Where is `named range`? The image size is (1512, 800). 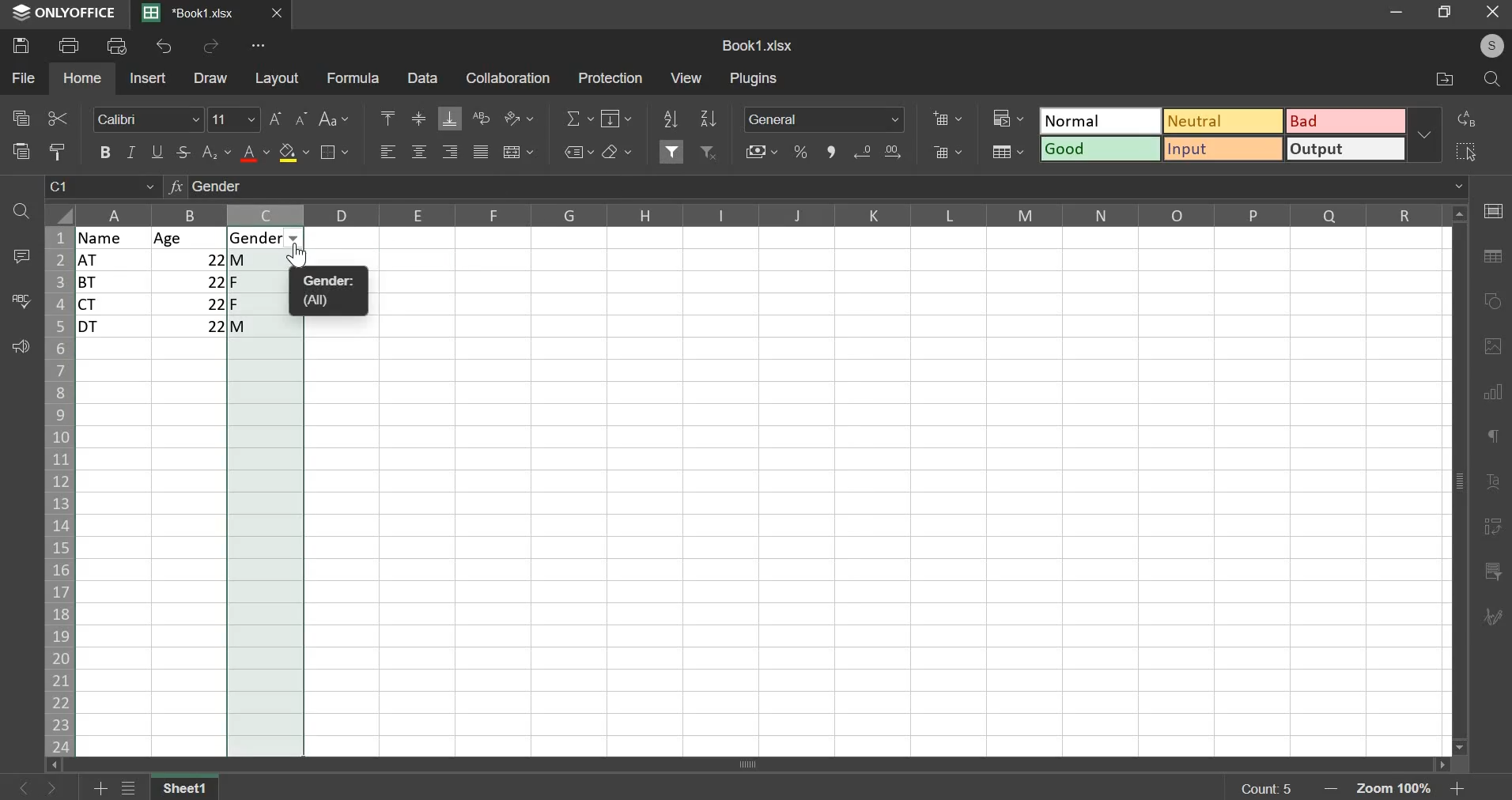 named range is located at coordinates (580, 153).